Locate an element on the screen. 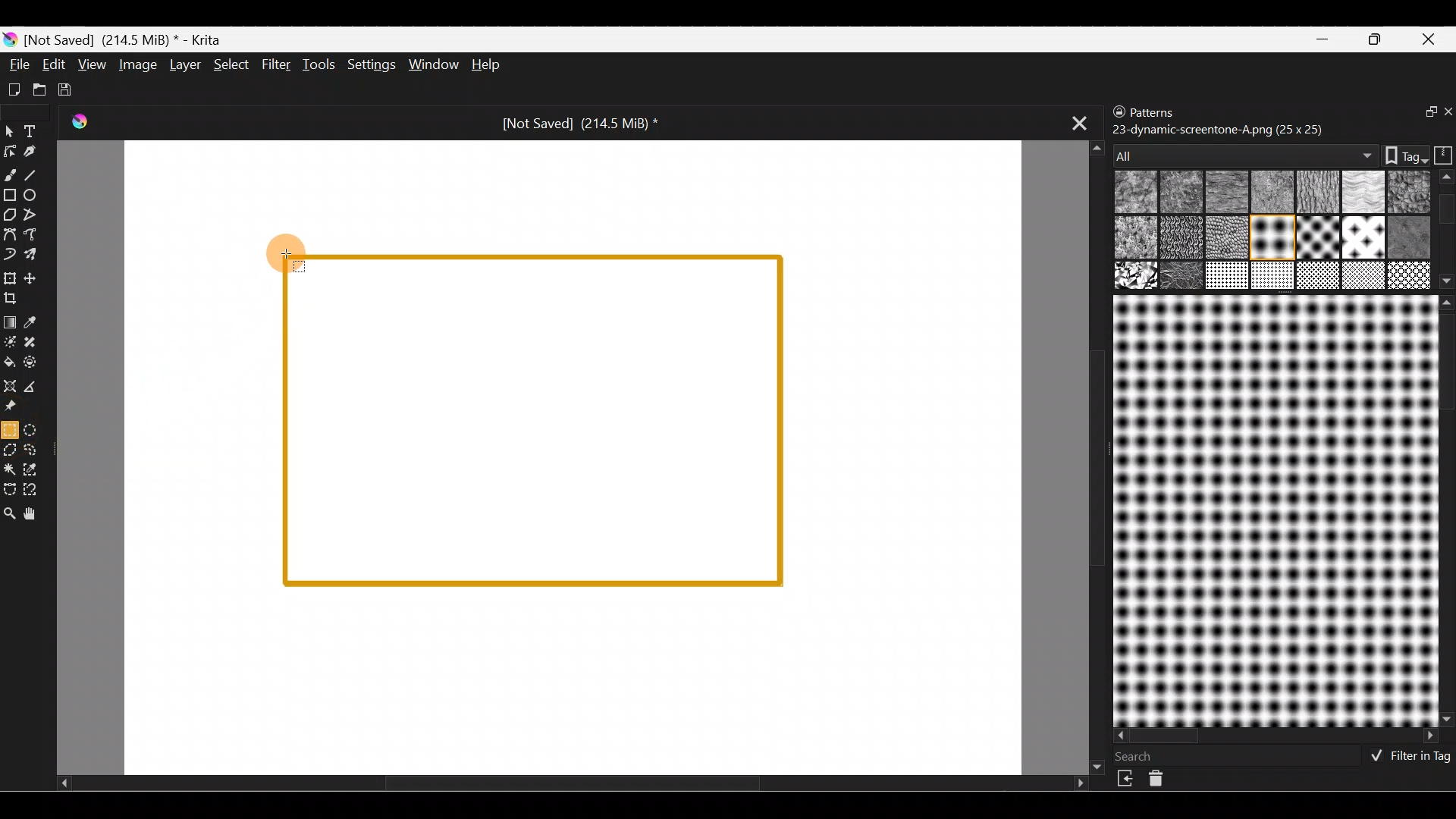  09b drawed_crossedlines.png is located at coordinates (1225, 237).